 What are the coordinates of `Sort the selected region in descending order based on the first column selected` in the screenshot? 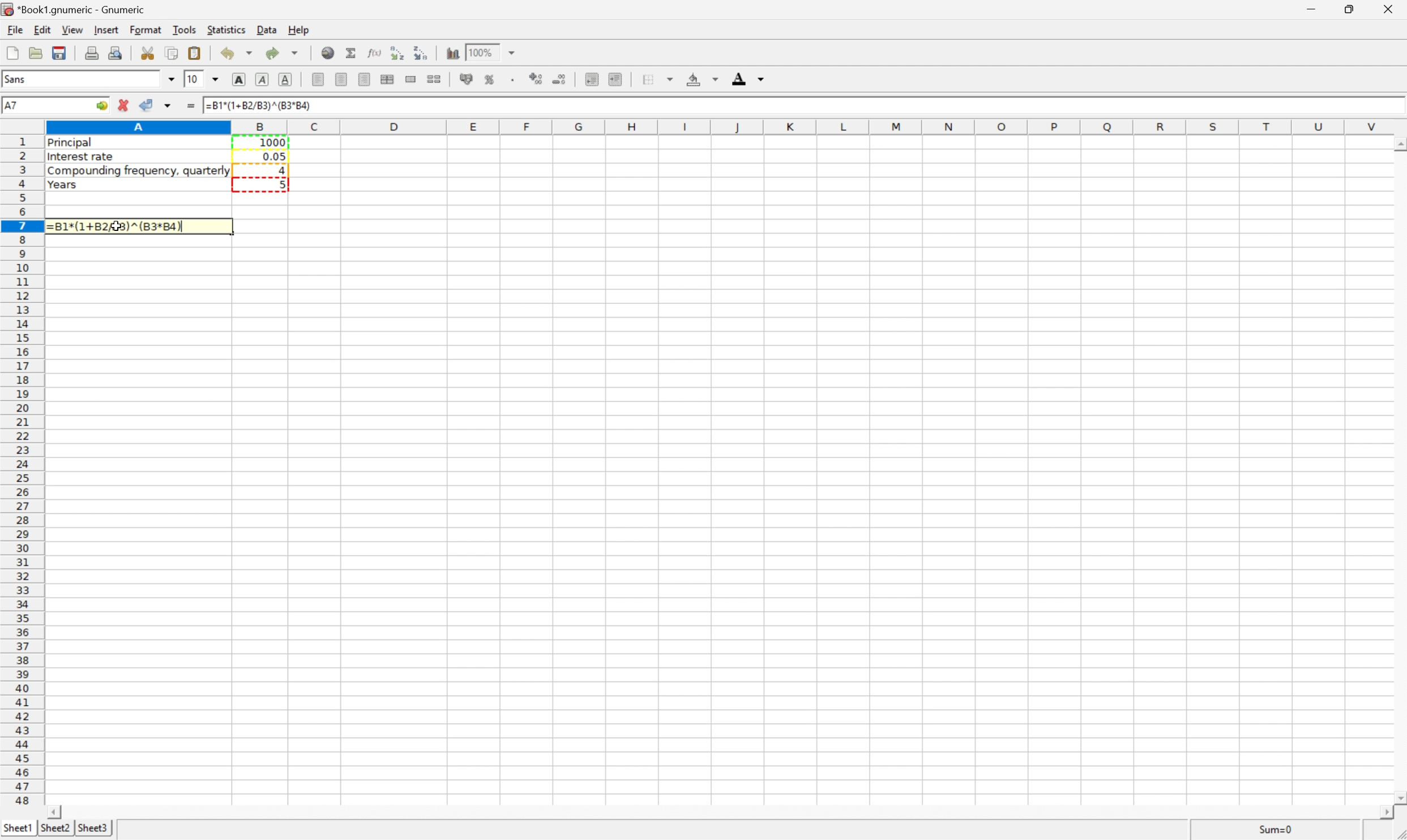 It's located at (421, 52).